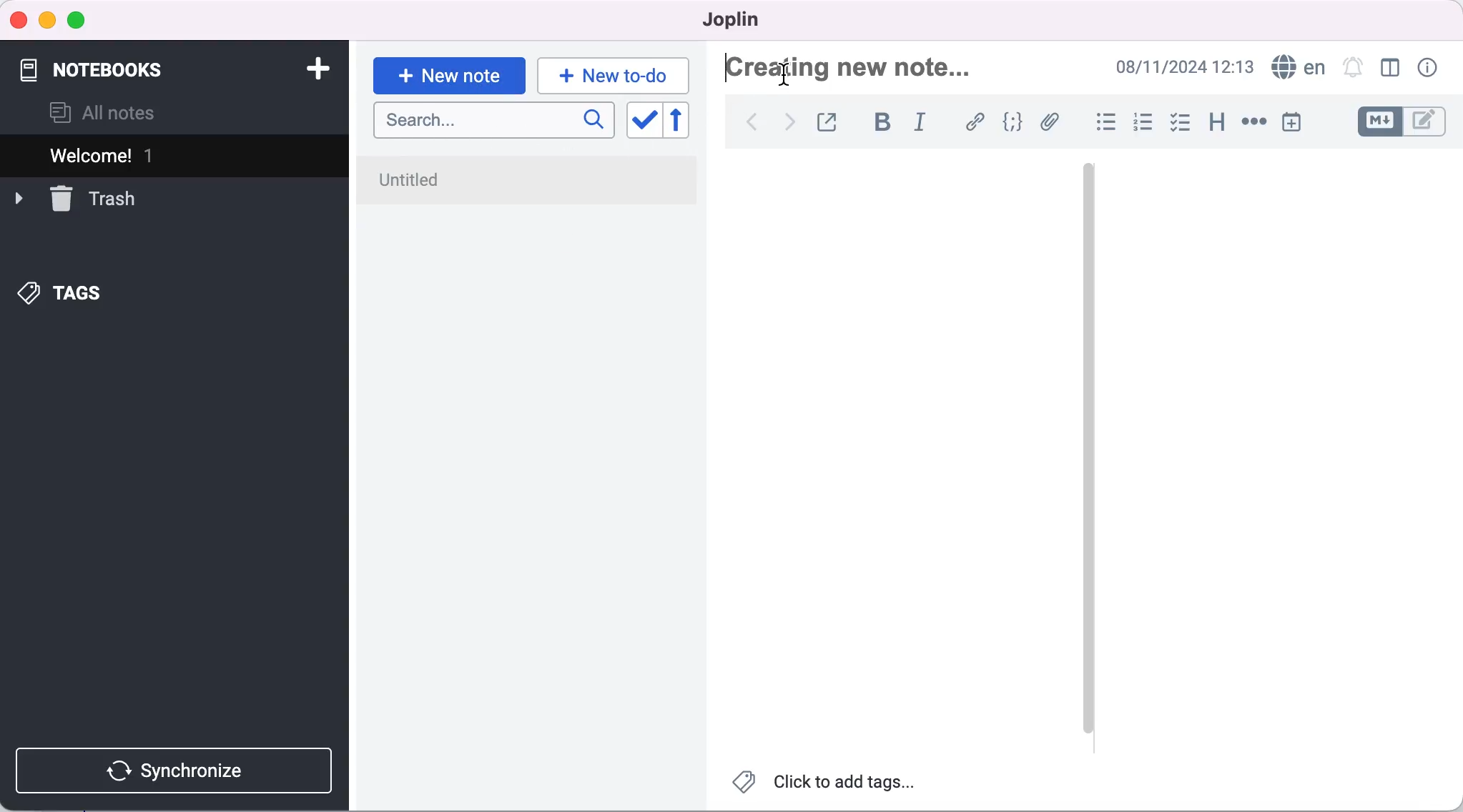 The image size is (1463, 812). Describe the element at coordinates (1015, 122) in the screenshot. I see `code` at that location.